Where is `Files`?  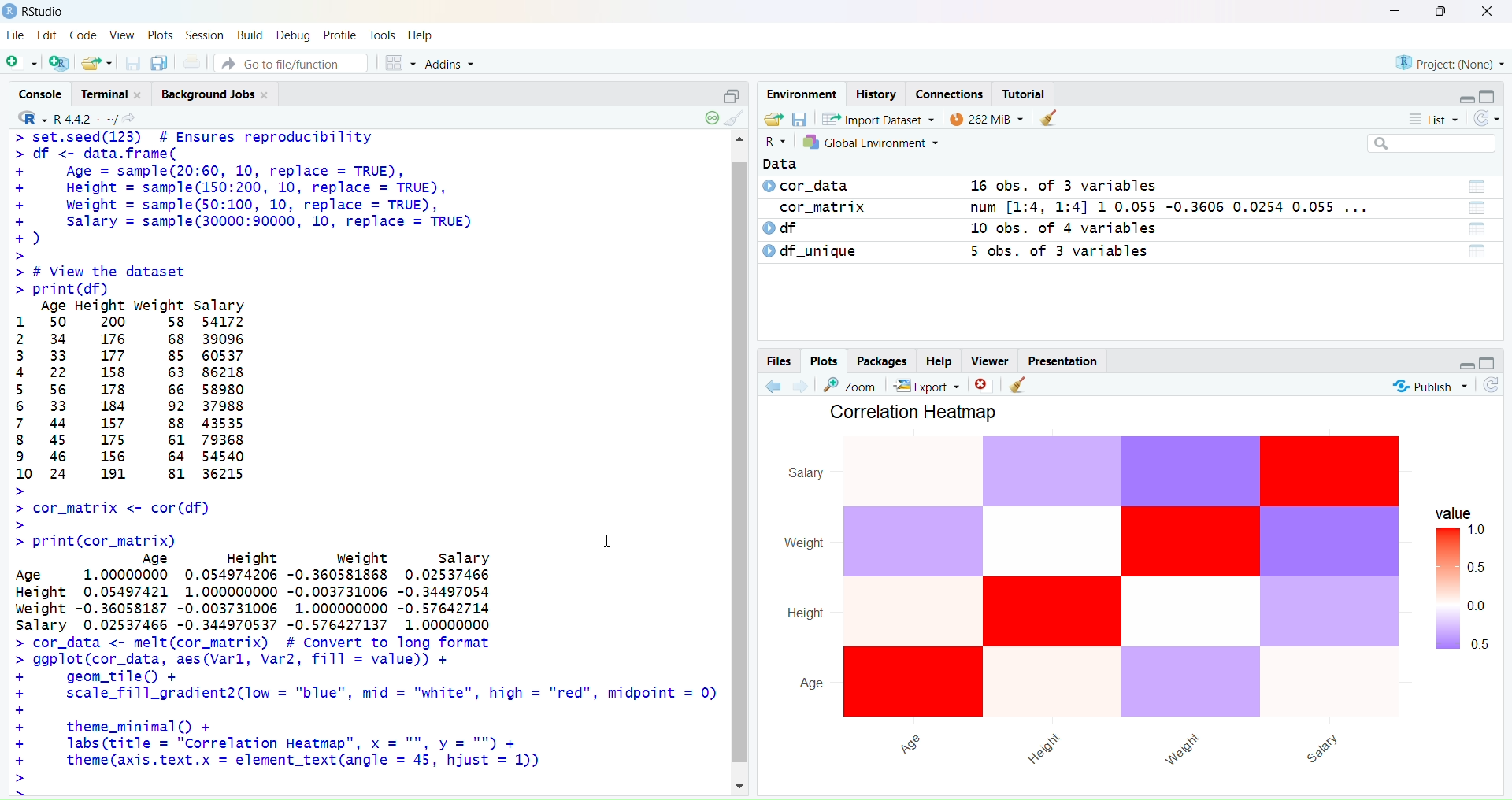
Files is located at coordinates (781, 361).